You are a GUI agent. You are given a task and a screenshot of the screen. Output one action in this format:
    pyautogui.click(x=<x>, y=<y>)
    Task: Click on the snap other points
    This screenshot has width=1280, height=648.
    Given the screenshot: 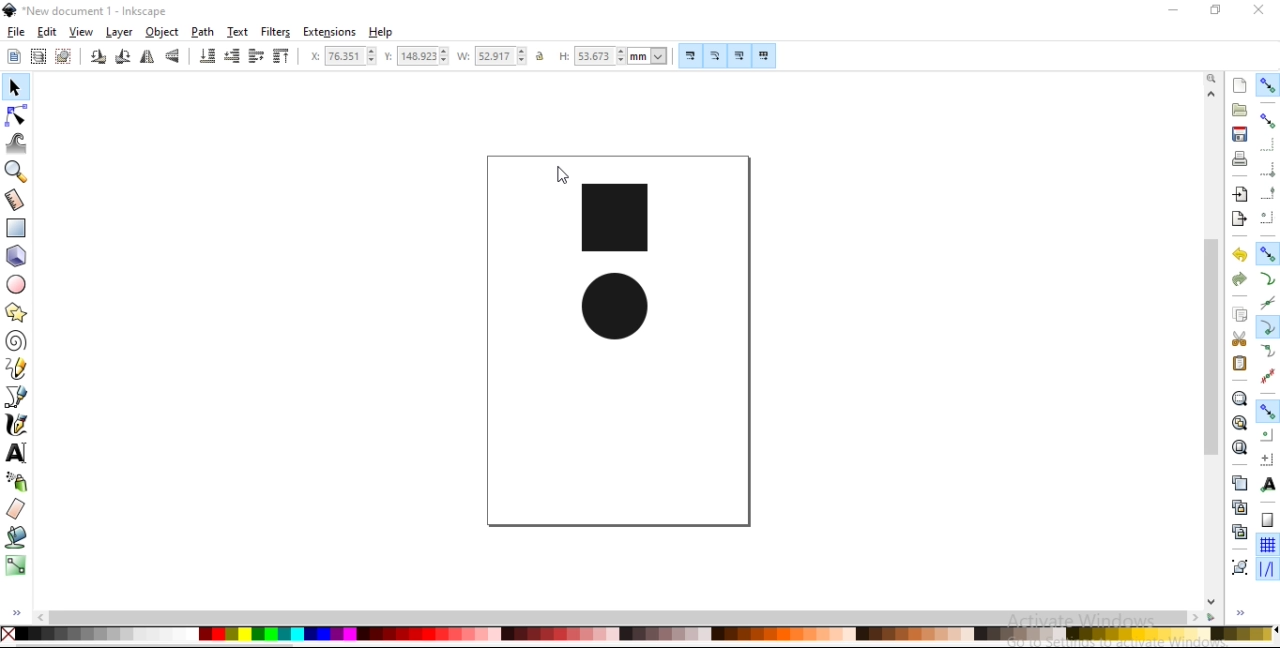 What is the action you would take?
    pyautogui.click(x=1268, y=411)
    